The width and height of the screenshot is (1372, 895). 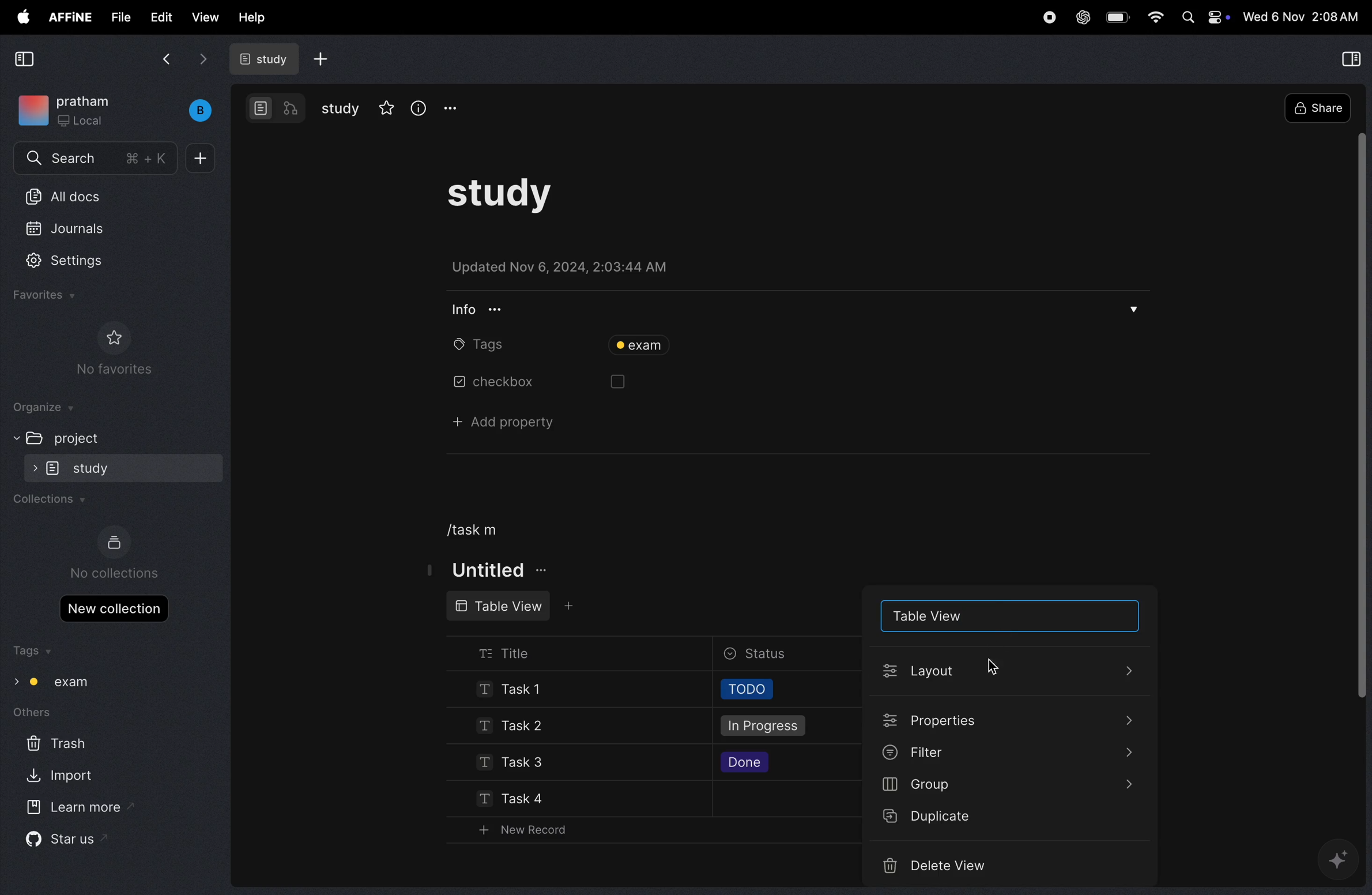 What do you see at coordinates (1046, 17) in the screenshot?
I see `record` at bounding box center [1046, 17].